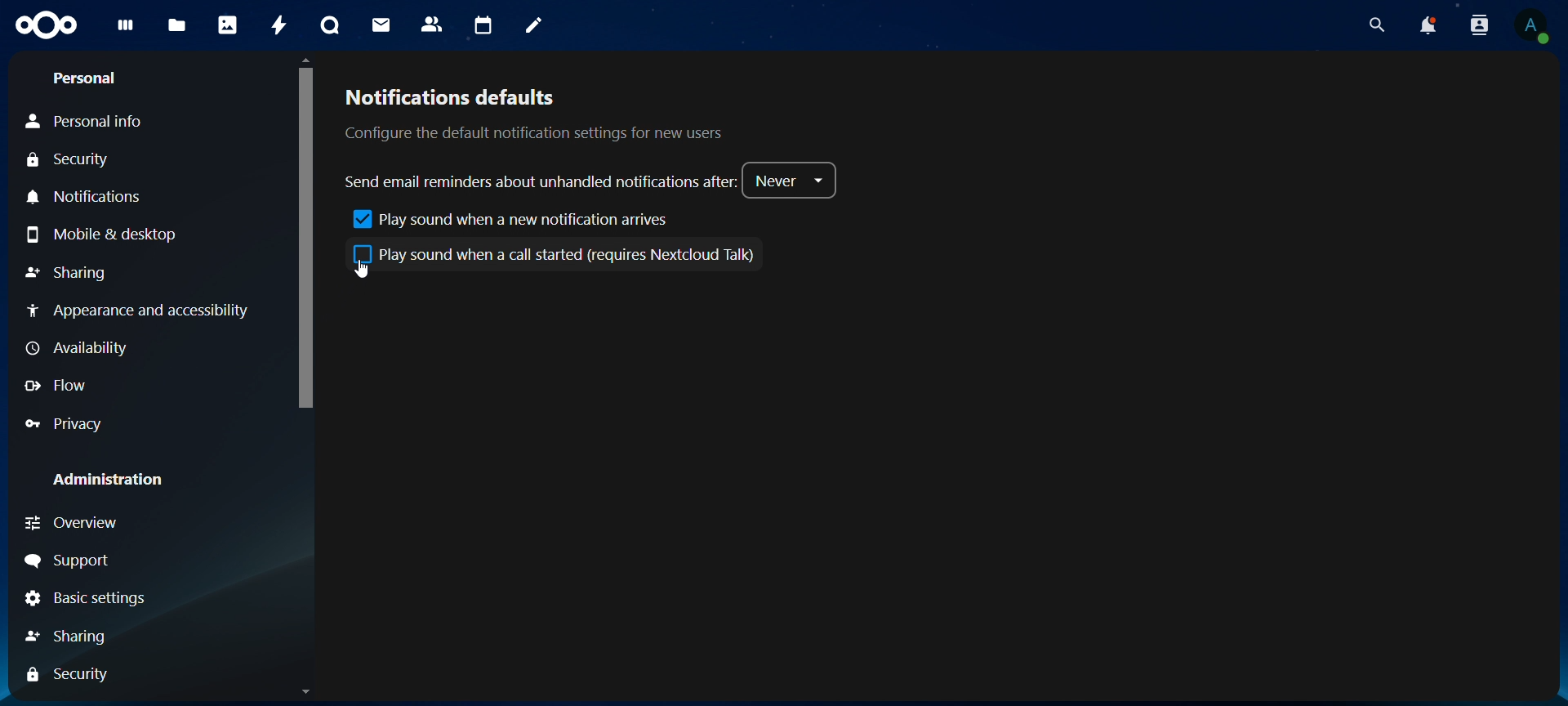  Describe the element at coordinates (56, 387) in the screenshot. I see `Flow` at that location.